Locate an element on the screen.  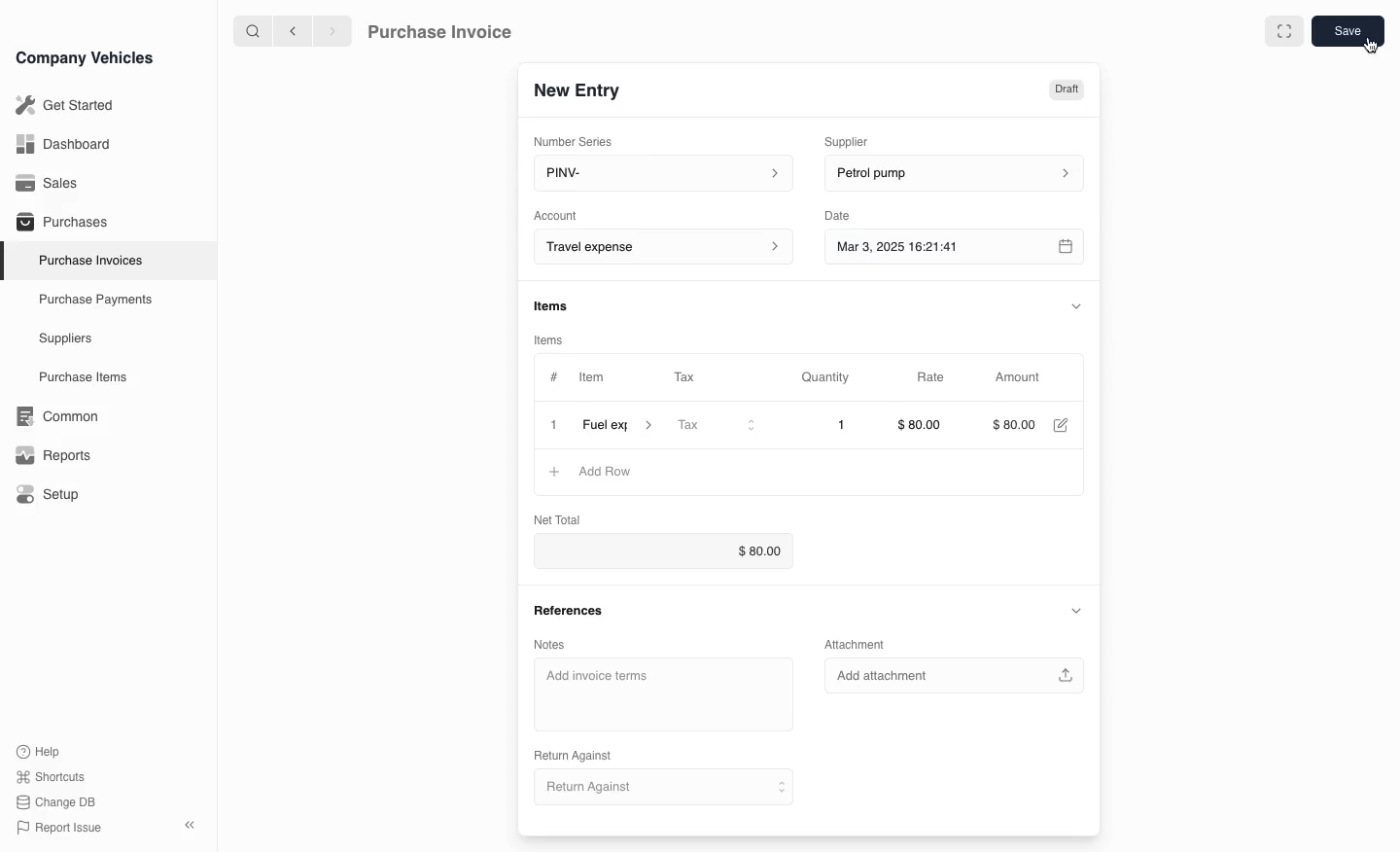
Account is located at coordinates (556, 214).